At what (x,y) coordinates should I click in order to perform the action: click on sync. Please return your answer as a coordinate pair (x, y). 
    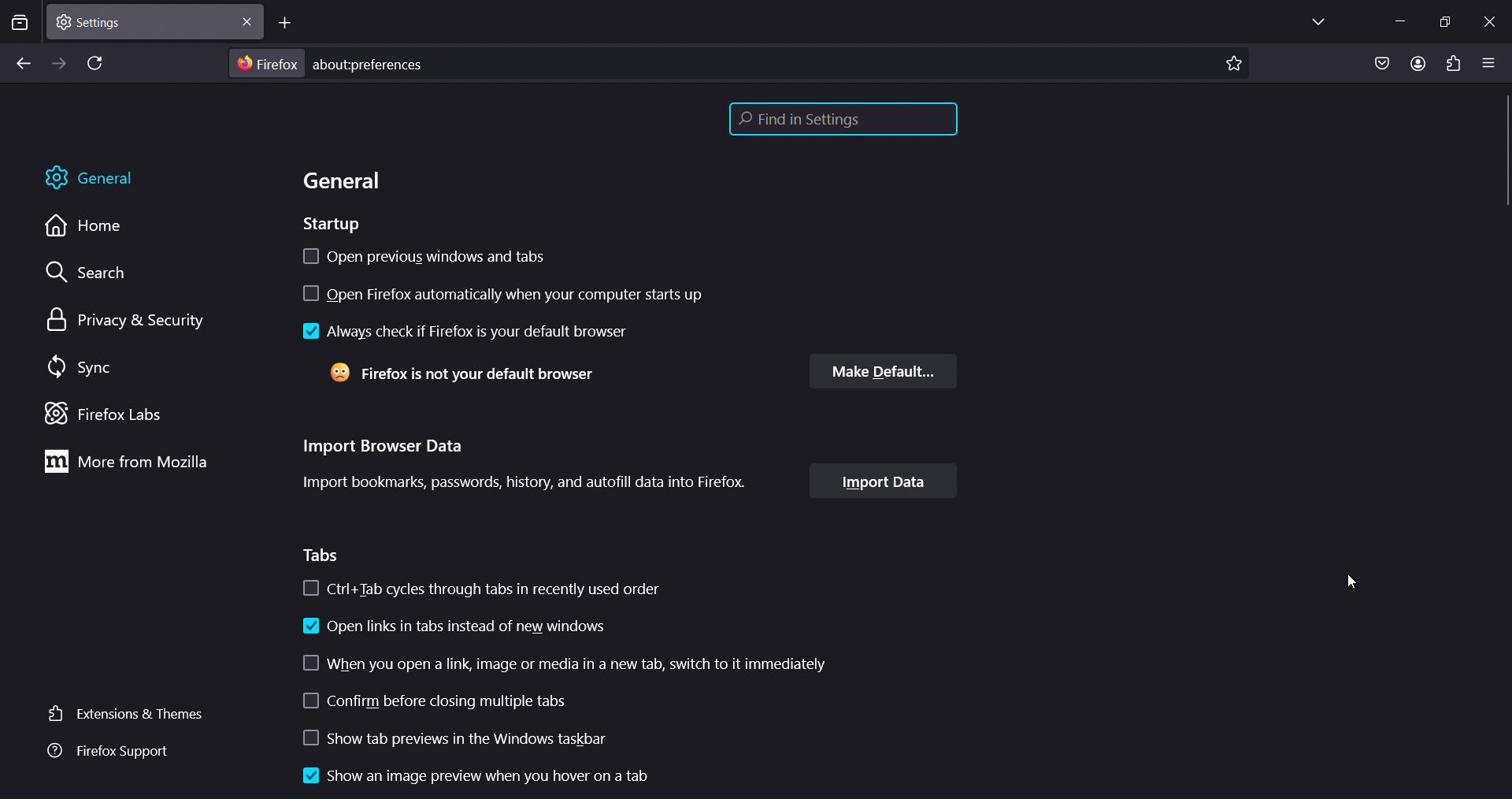
    Looking at the image, I should click on (78, 368).